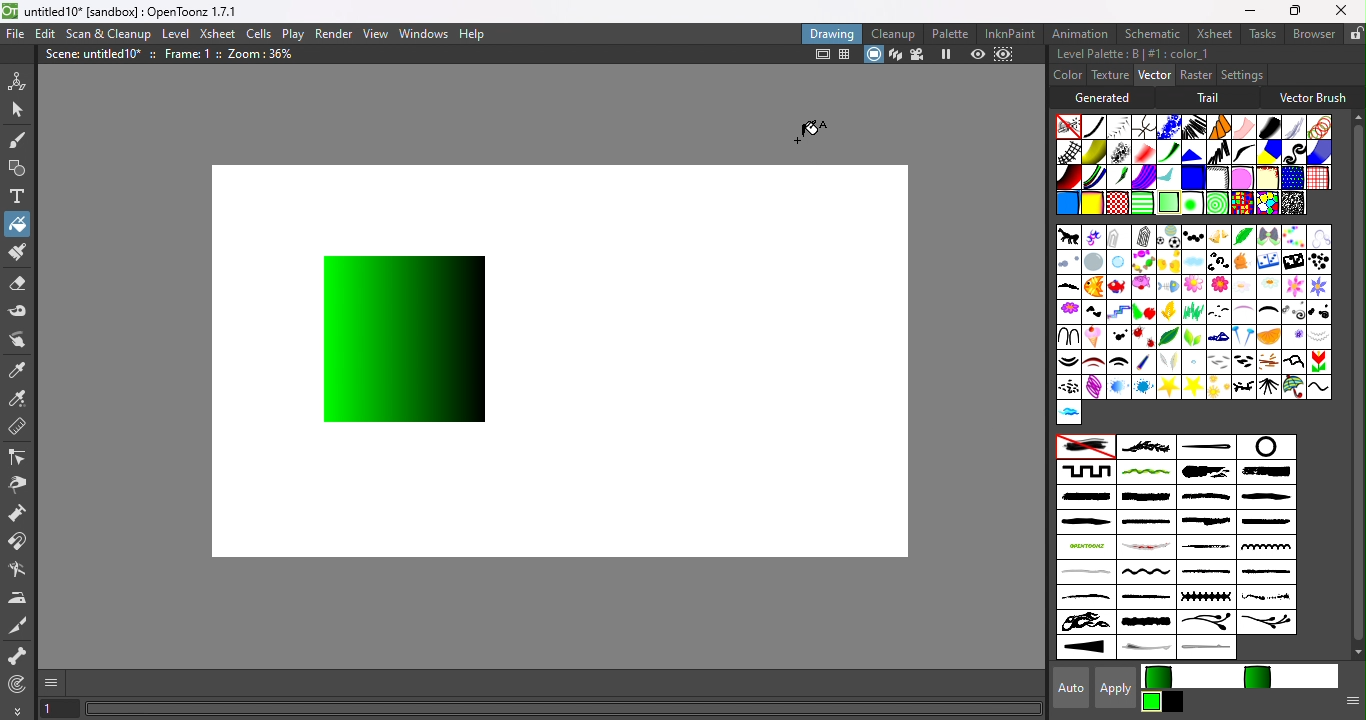 Image resolution: width=1366 pixels, height=720 pixels. I want to click on Apply, so click(1118, 687).